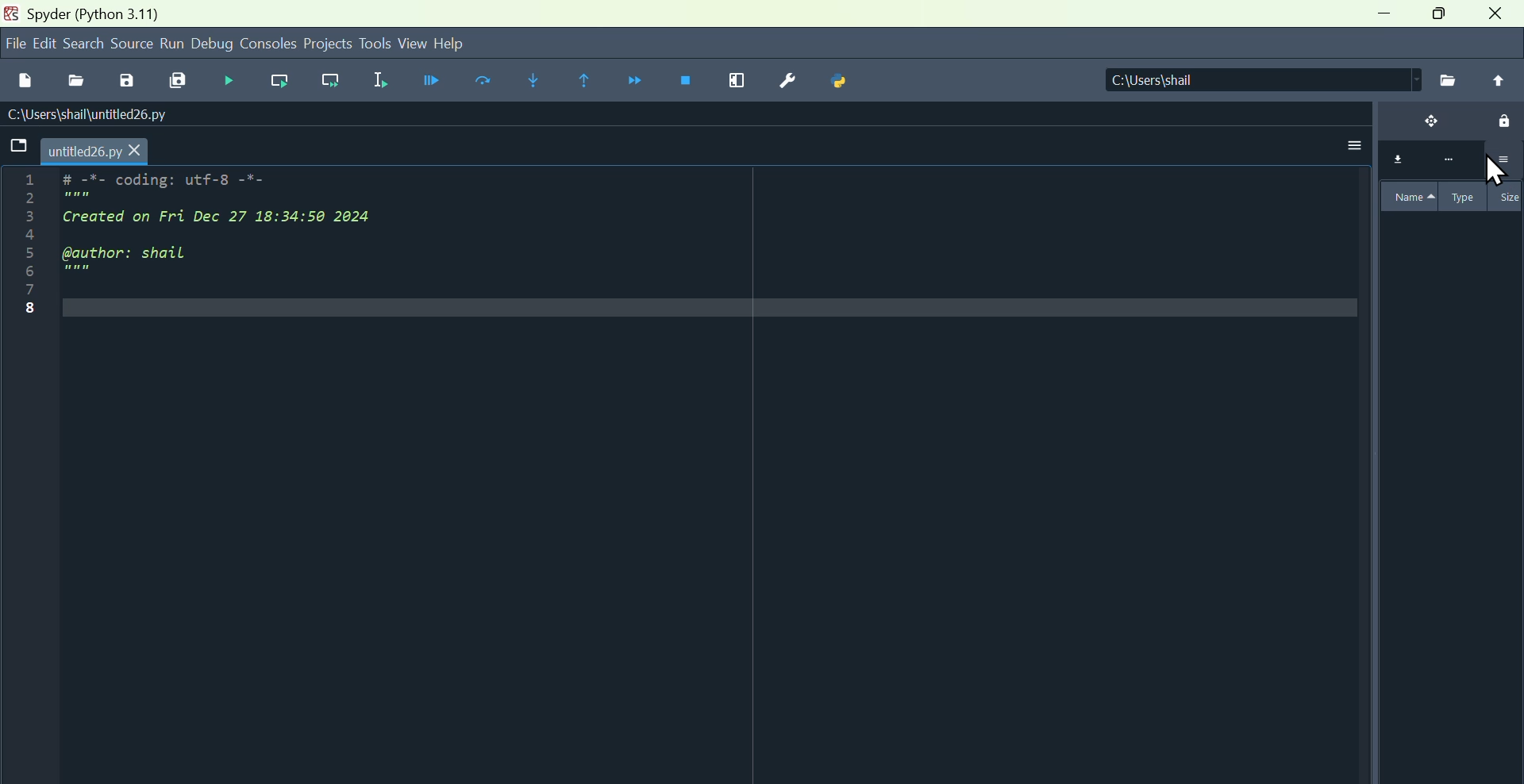 The height and width of the screenshot is (784, 1524). I want to click on Continue execution until next function, so click(638, 83).